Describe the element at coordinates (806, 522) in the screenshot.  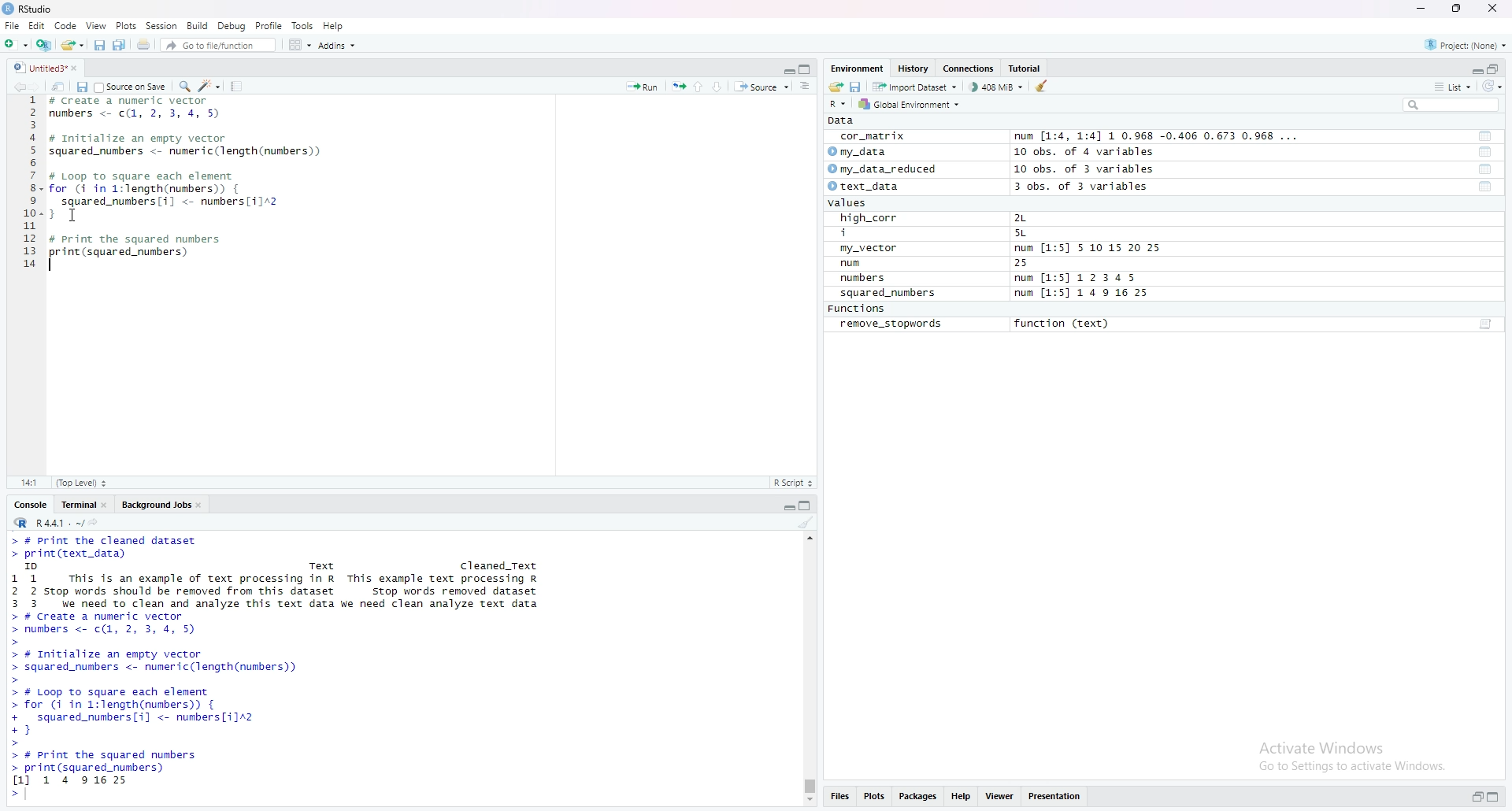
I see `clear console` at that location.